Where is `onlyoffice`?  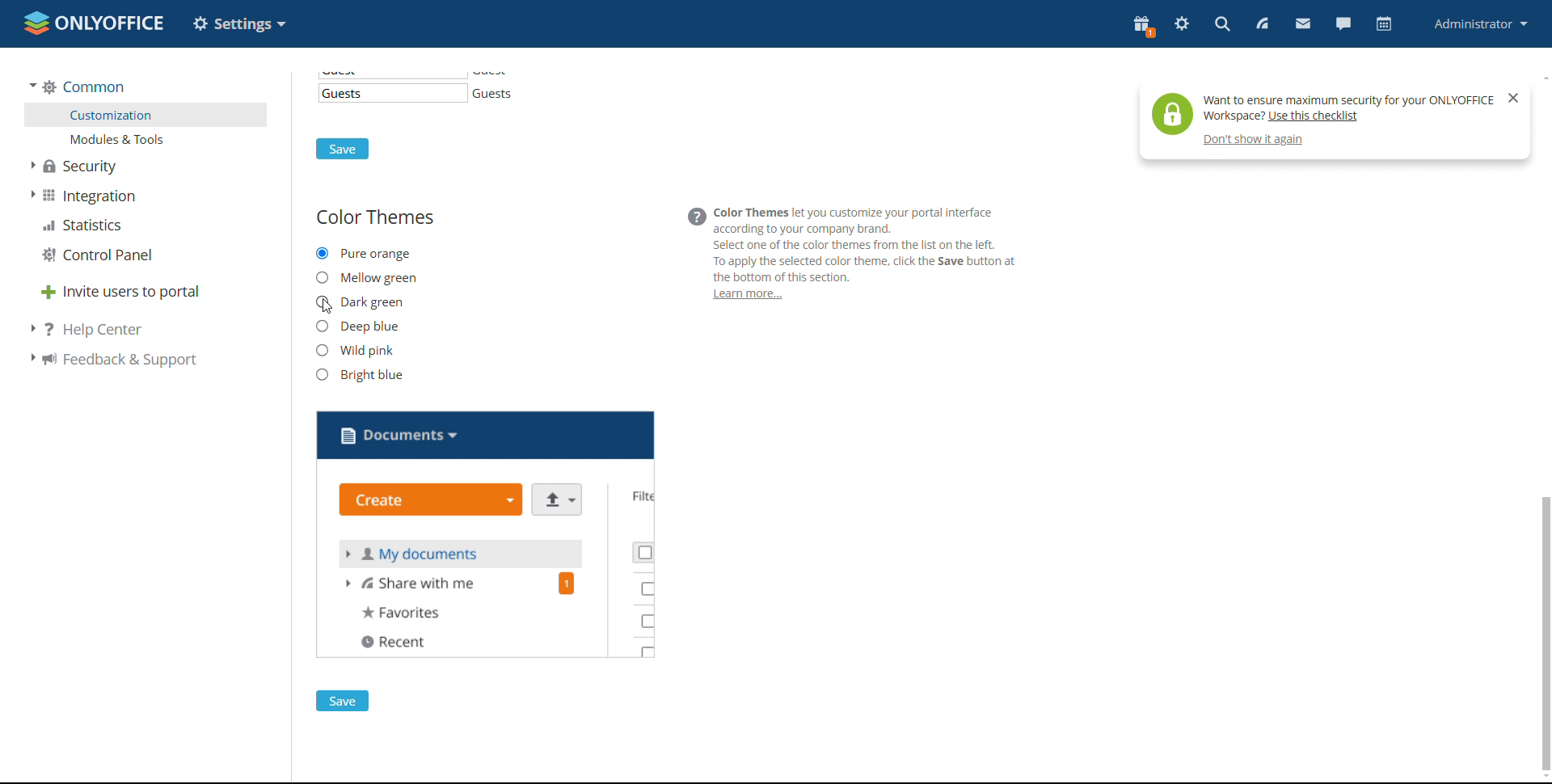
onlyoffice is located at coordinates (115, 26).